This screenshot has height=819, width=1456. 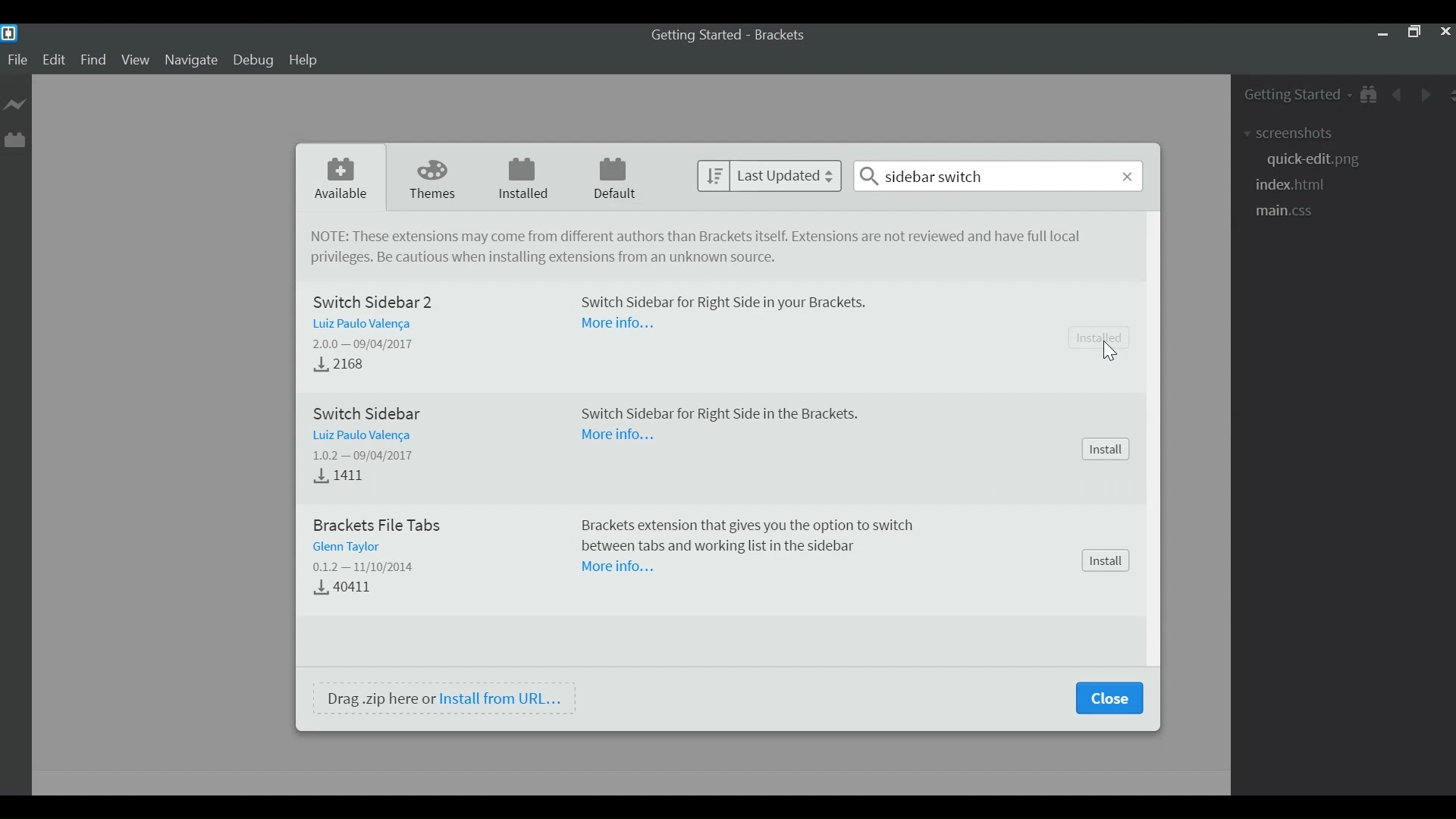 What do you see at coordinates (1106, 449) in the screenshot?
I see `Install` at bounding box center [1106, 449].